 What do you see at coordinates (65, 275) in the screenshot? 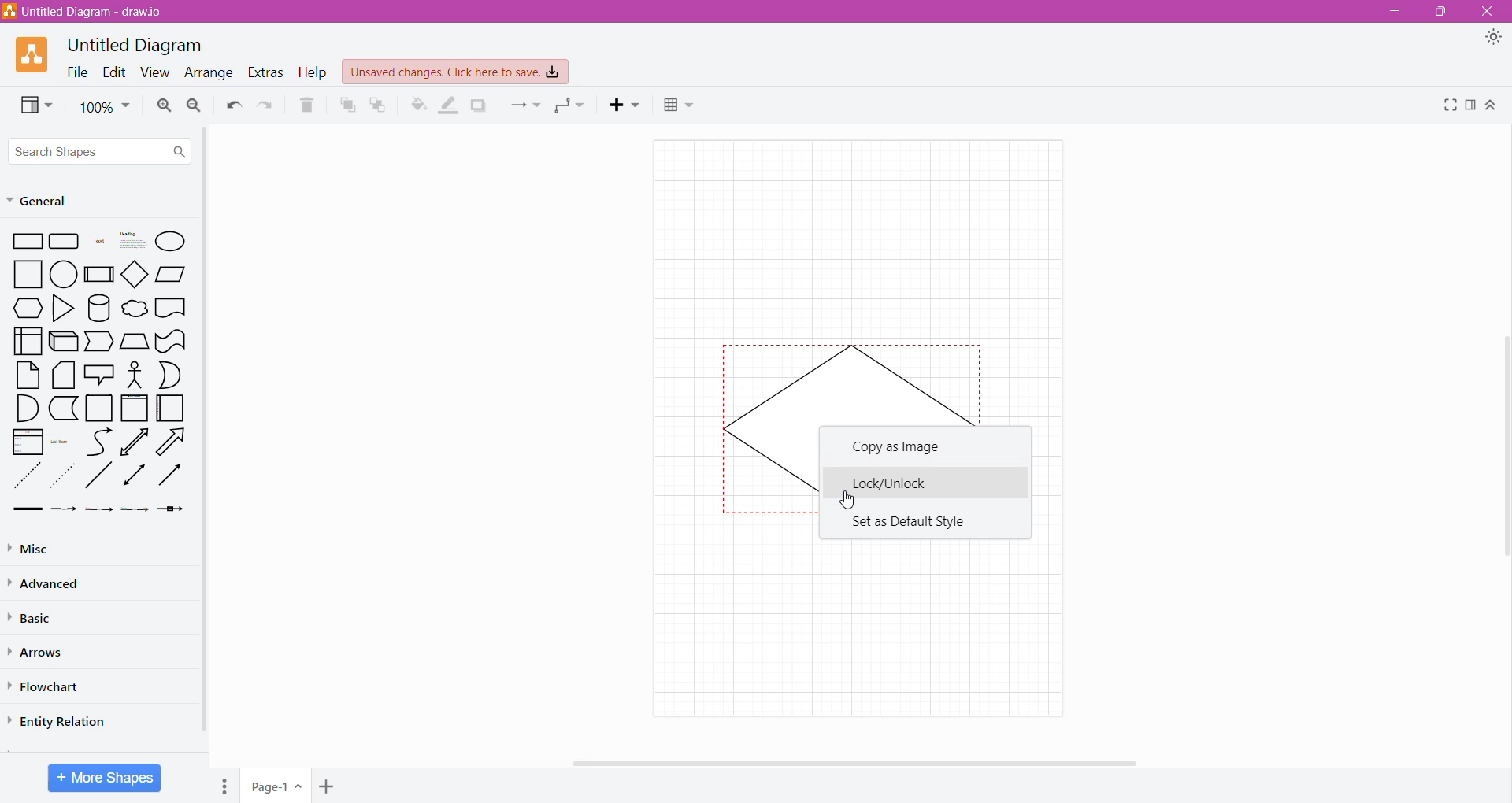
I see `Circle` at bounding box center [65, 275].